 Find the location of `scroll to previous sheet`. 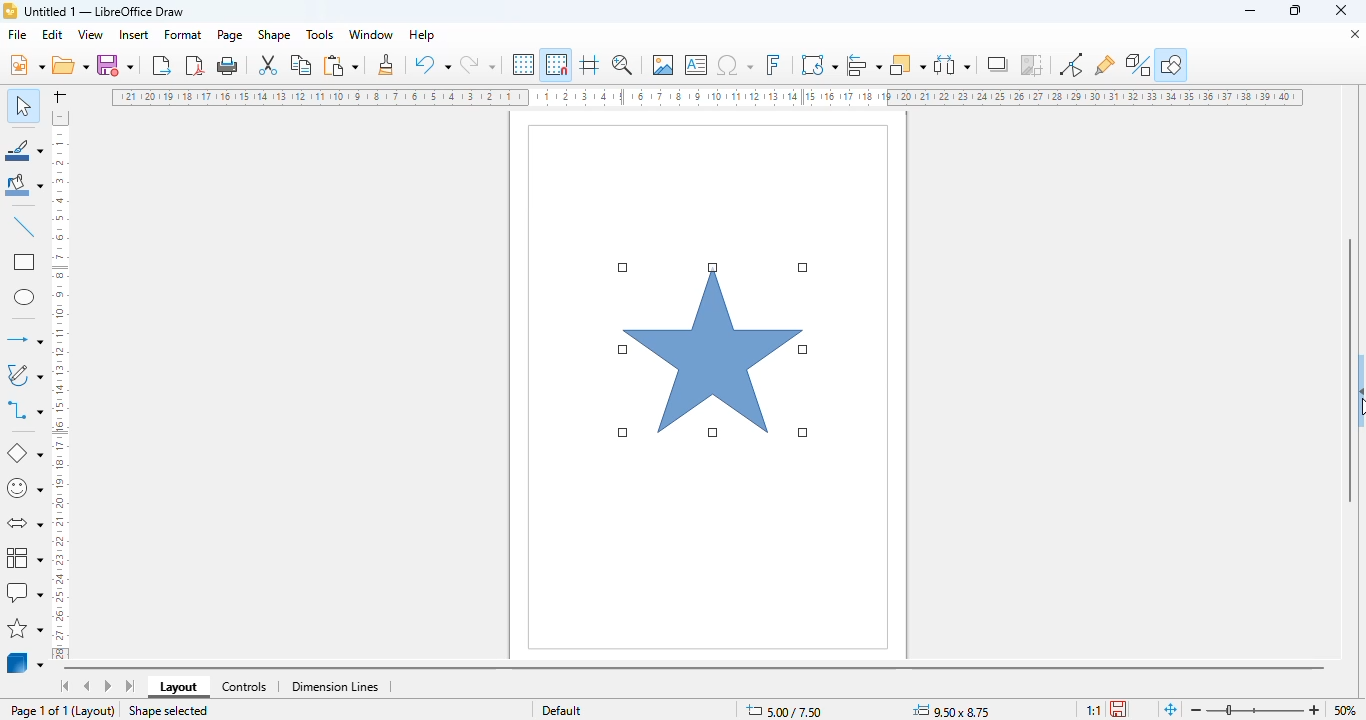

scroll to previous sheet is located at coordinates (87, 686).